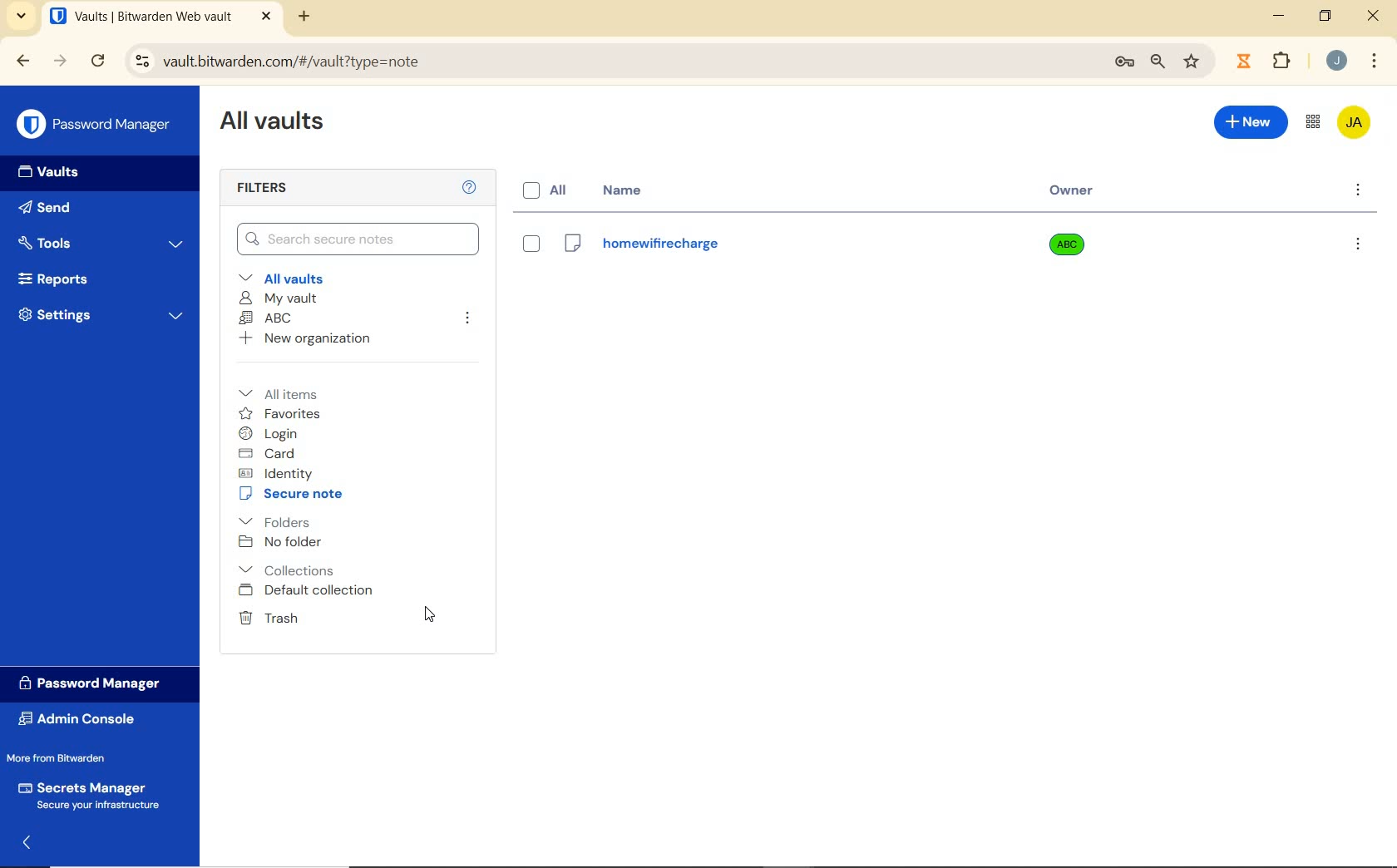  What do you see at coordinates (23, 18) in the screenshot?
I see `search tabs` at bounding box center [23, 18].